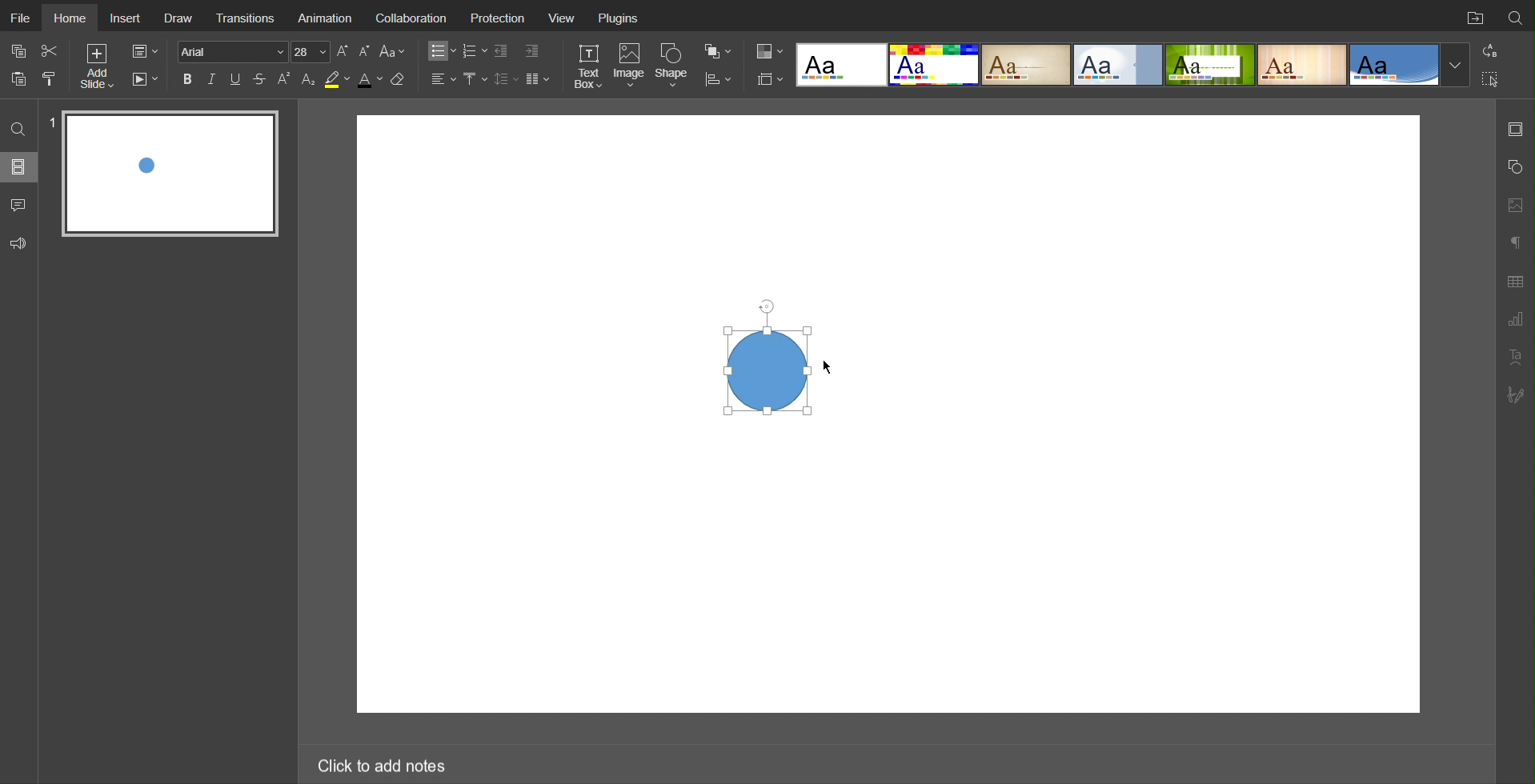  Describe the element at coordinates (1514, 240) in the screenshot. I see `Paragraph Settings` at that location.